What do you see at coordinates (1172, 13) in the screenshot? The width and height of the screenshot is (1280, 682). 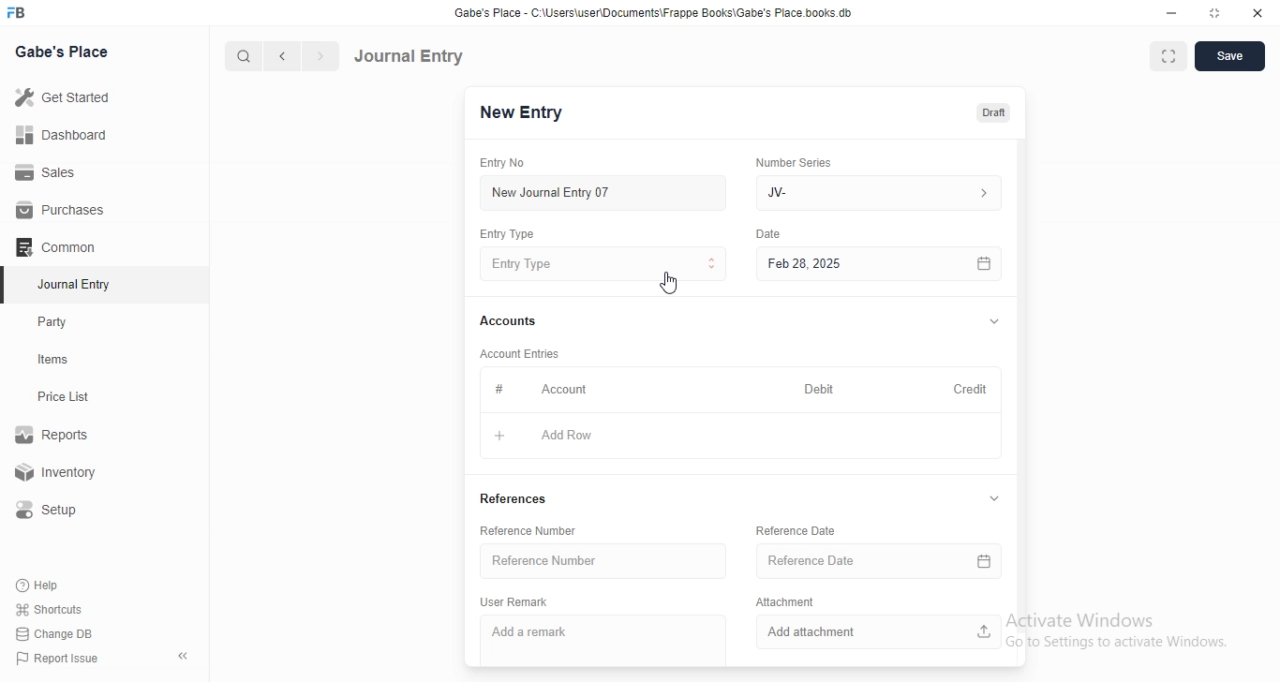 I see `minimize` at bounding box center [1172, 13].